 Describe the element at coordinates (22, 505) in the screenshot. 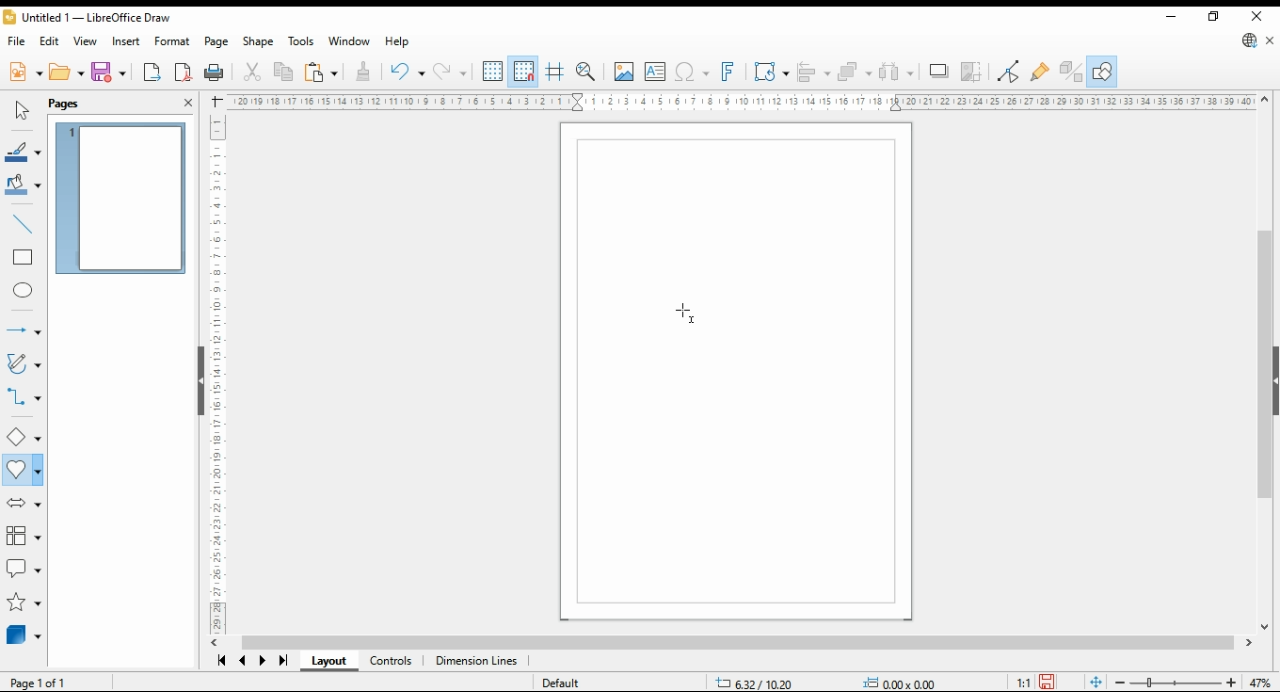

I see `block arrows` at that location.